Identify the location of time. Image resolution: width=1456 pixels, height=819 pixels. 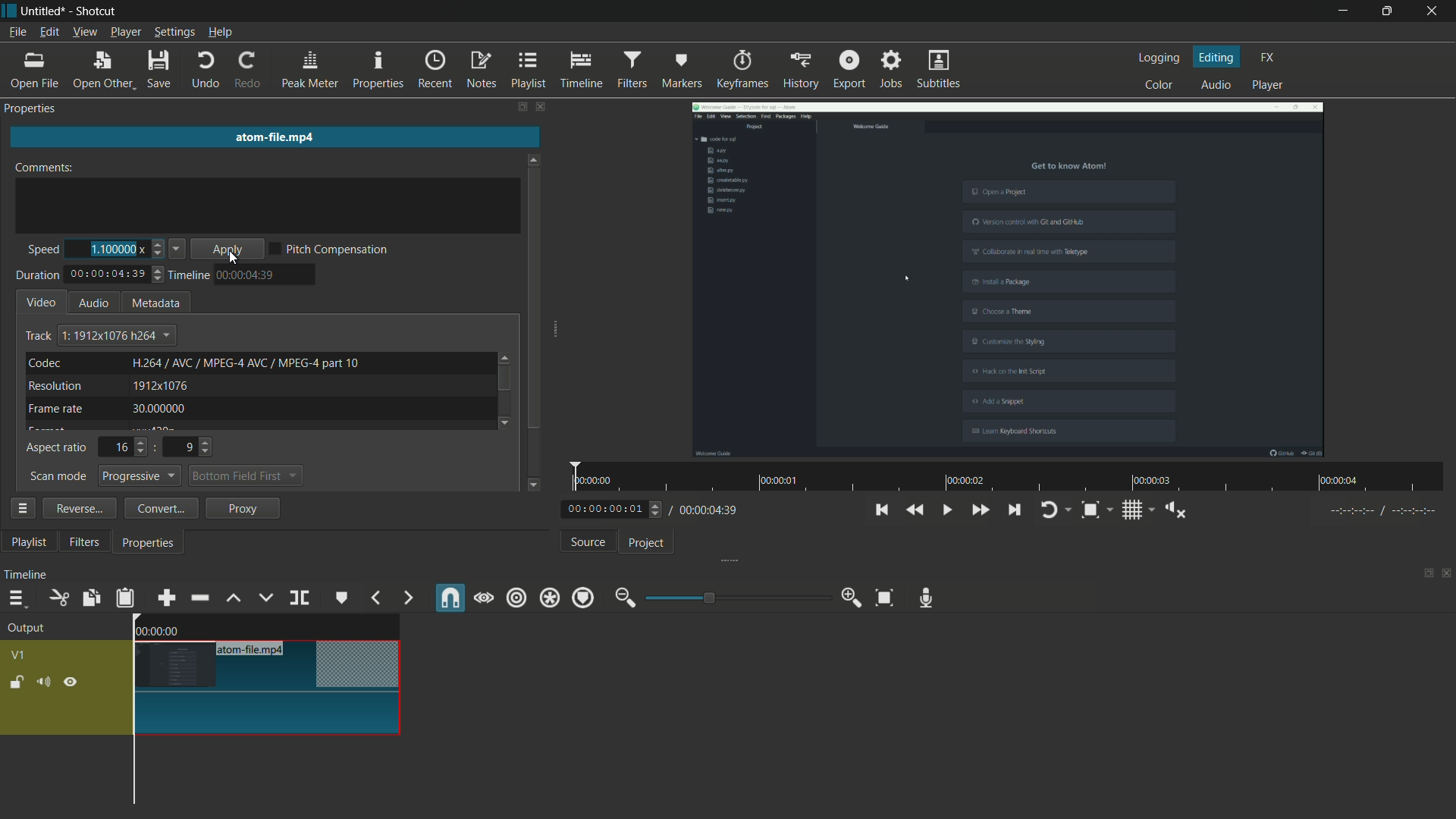
(246, 275).